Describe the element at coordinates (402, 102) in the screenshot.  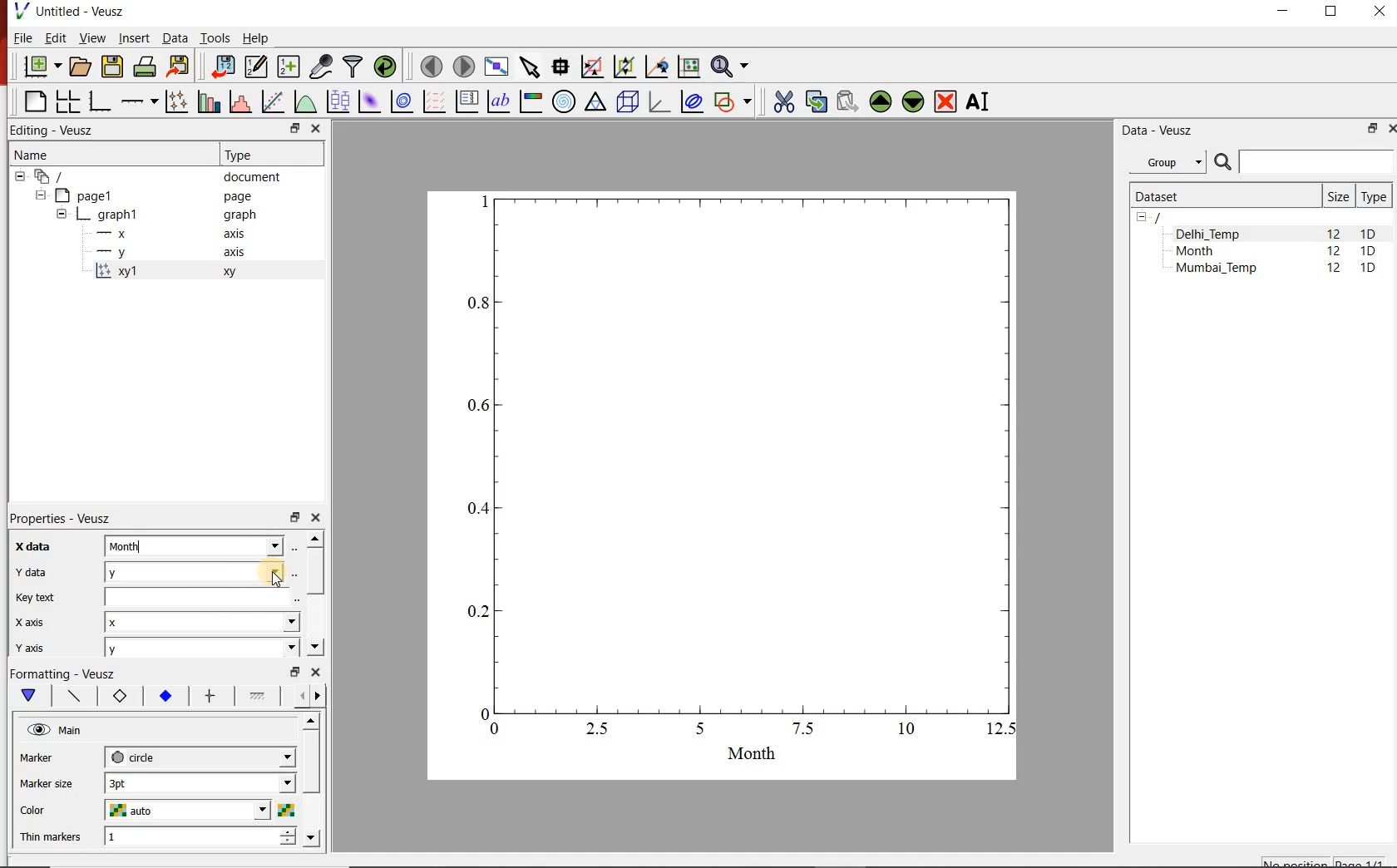
I see `plot a 2d dataset as contours` at that location.